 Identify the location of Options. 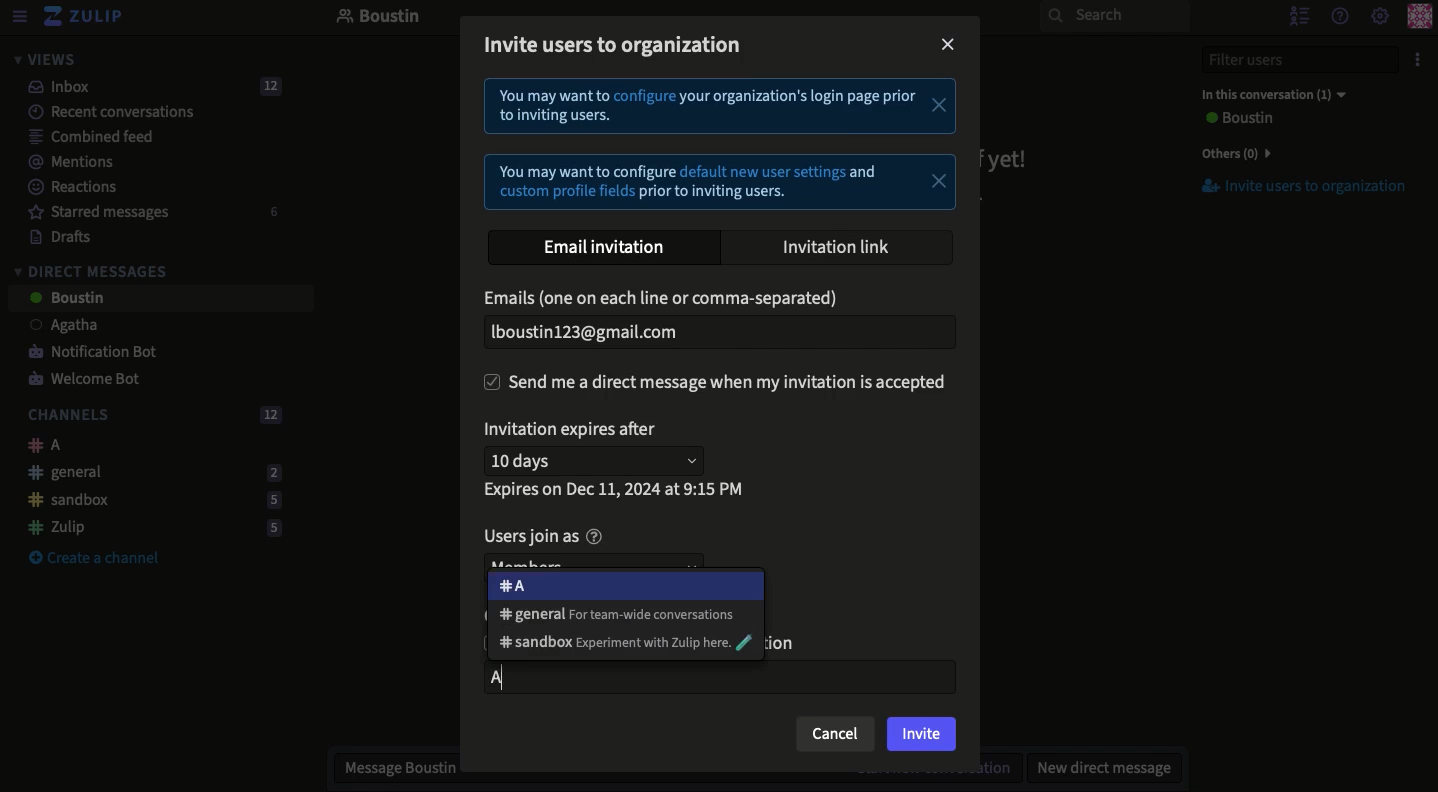
(1415, 60).